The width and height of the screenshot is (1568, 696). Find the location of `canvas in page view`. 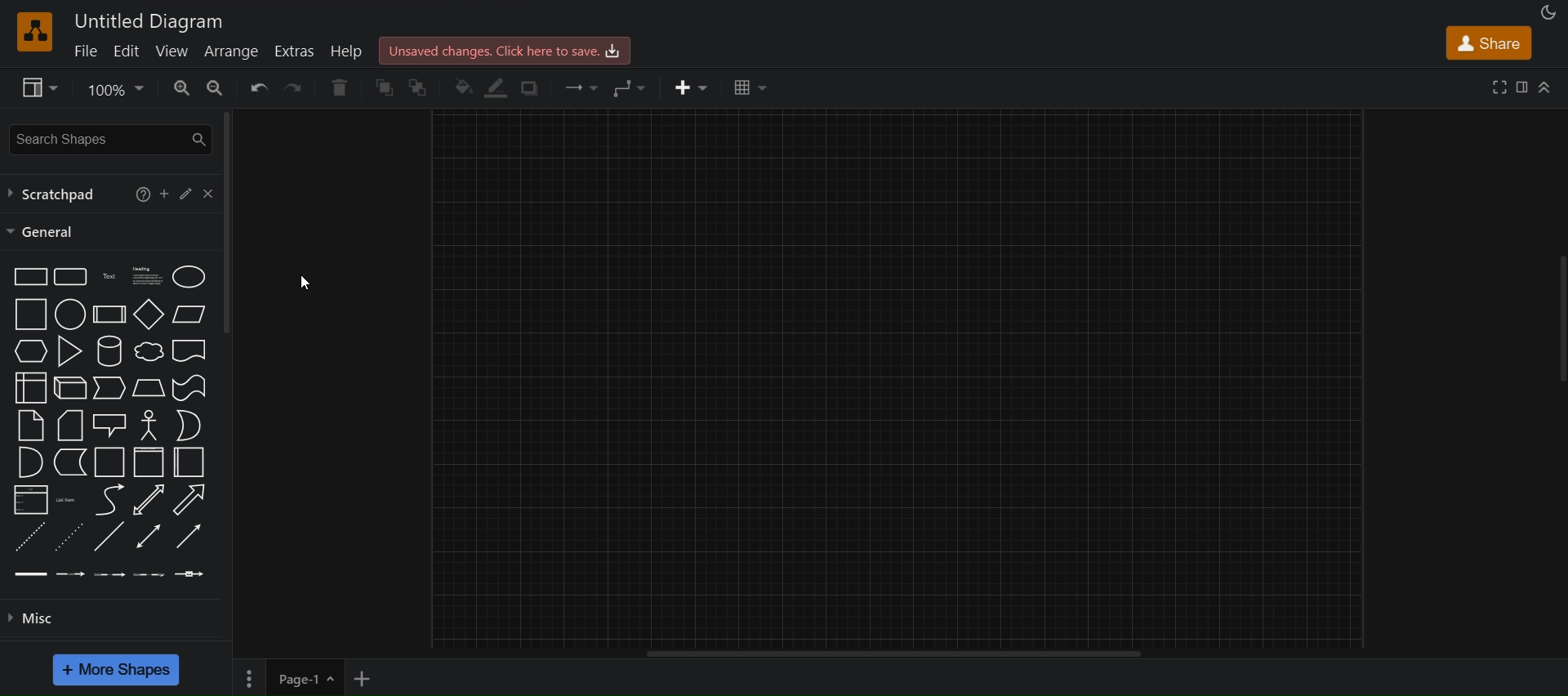

canvas in page view is located at coordinates (899, 378).